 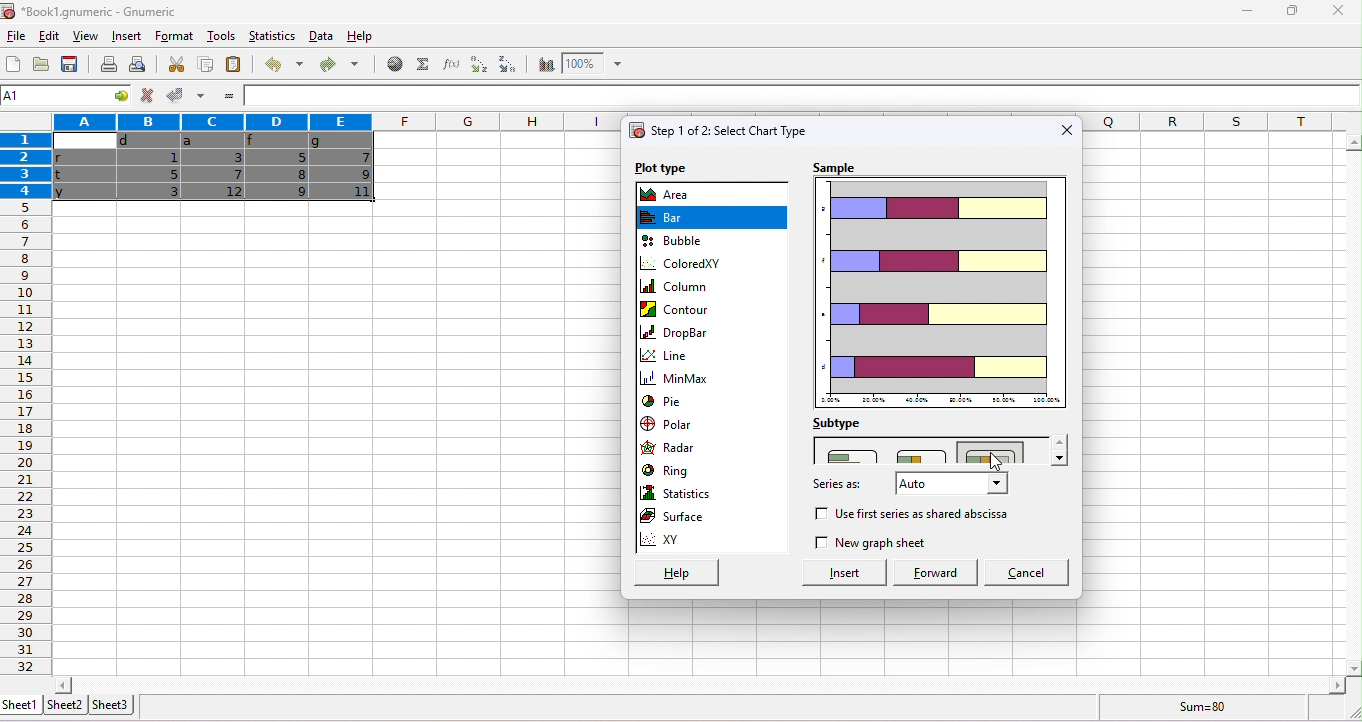 I want to click on open, so click(x=43, y=65).